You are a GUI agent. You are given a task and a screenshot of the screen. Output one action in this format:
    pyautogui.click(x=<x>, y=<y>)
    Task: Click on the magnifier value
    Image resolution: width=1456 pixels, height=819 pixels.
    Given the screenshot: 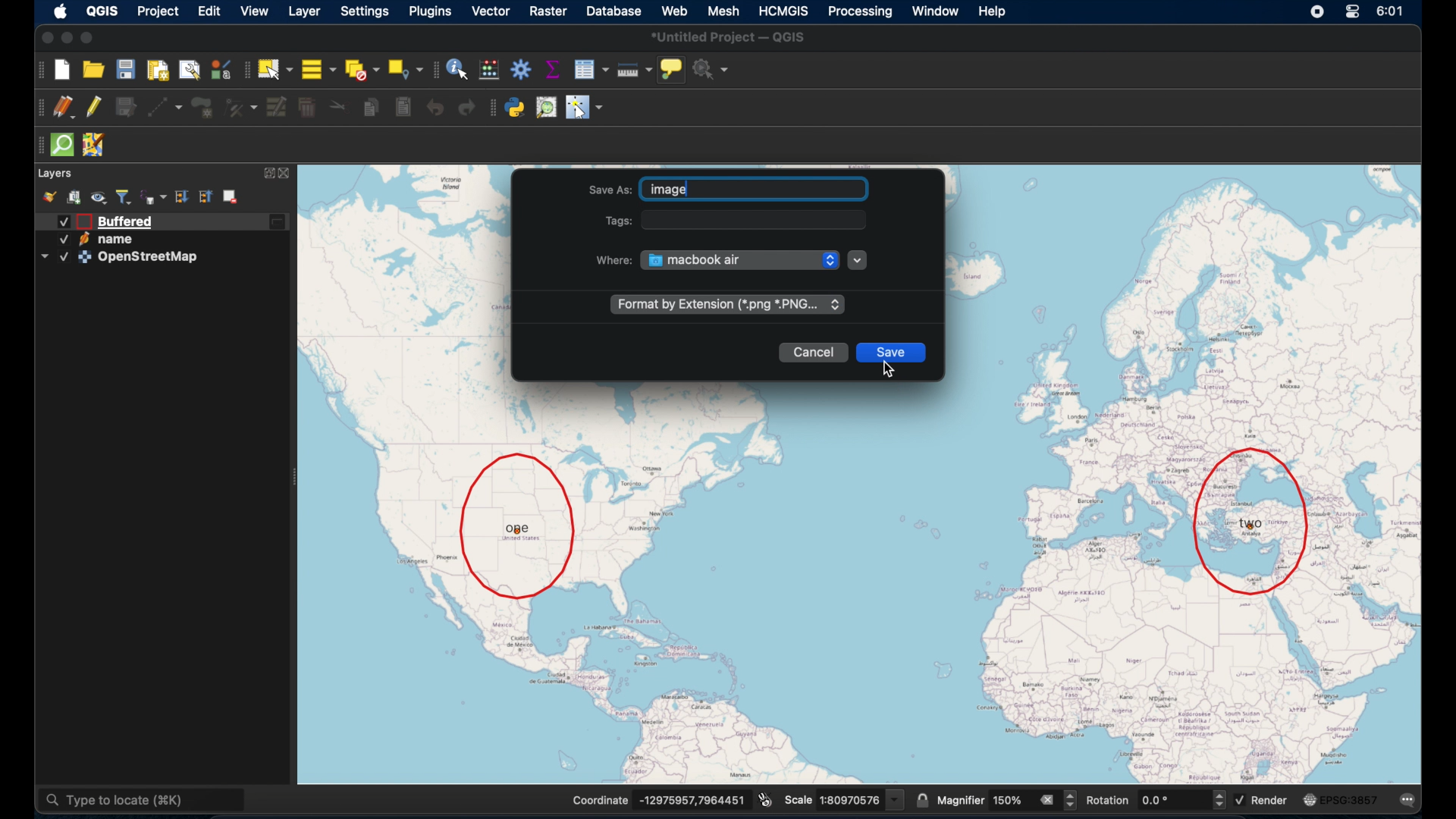 What is the action you would take?
    pyautogui.click(x=1009, y=799)
    